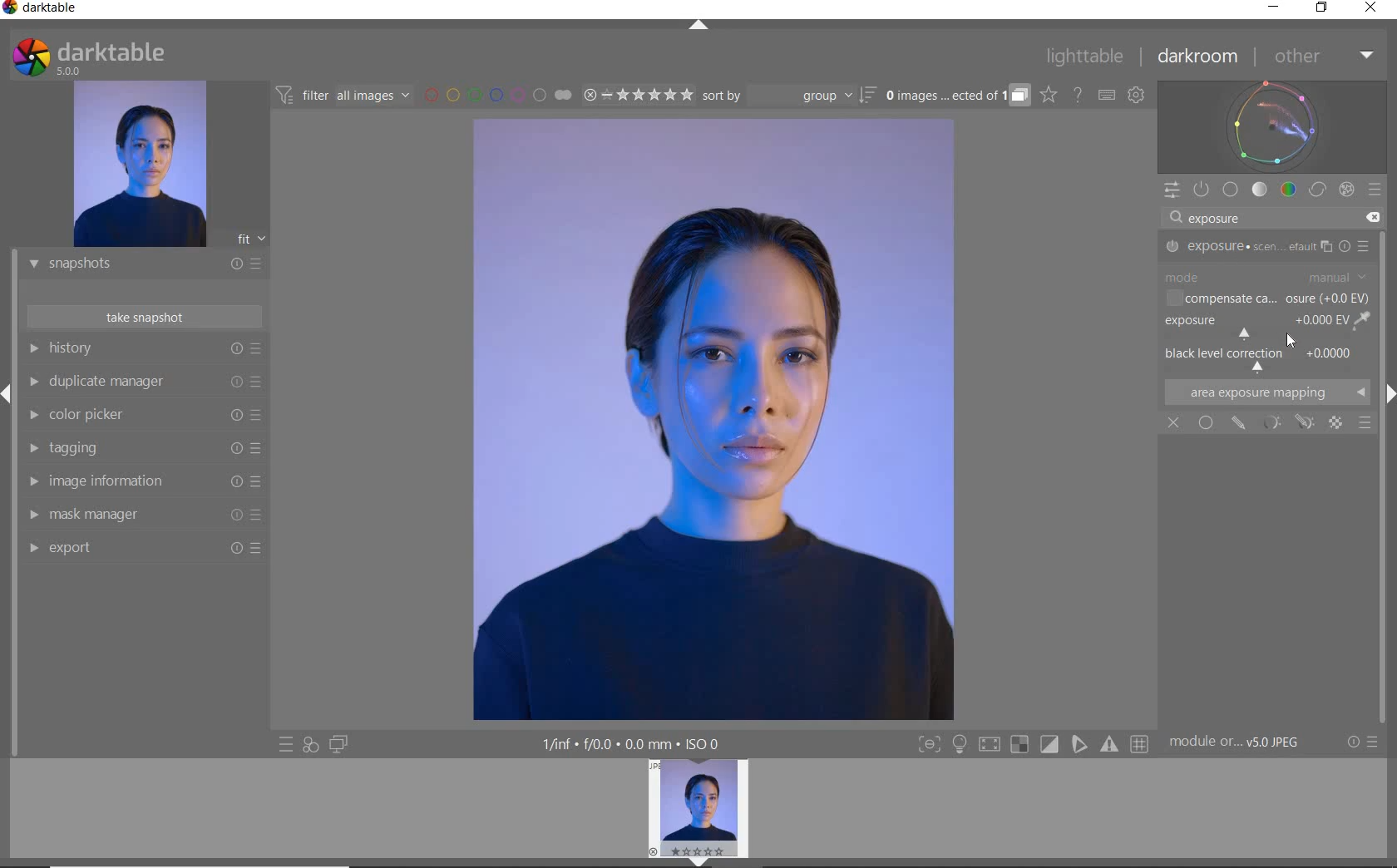 The height and width of the screenshot is (868, 1397). I want to click on SNAPSHOTS, so click(138, 265).